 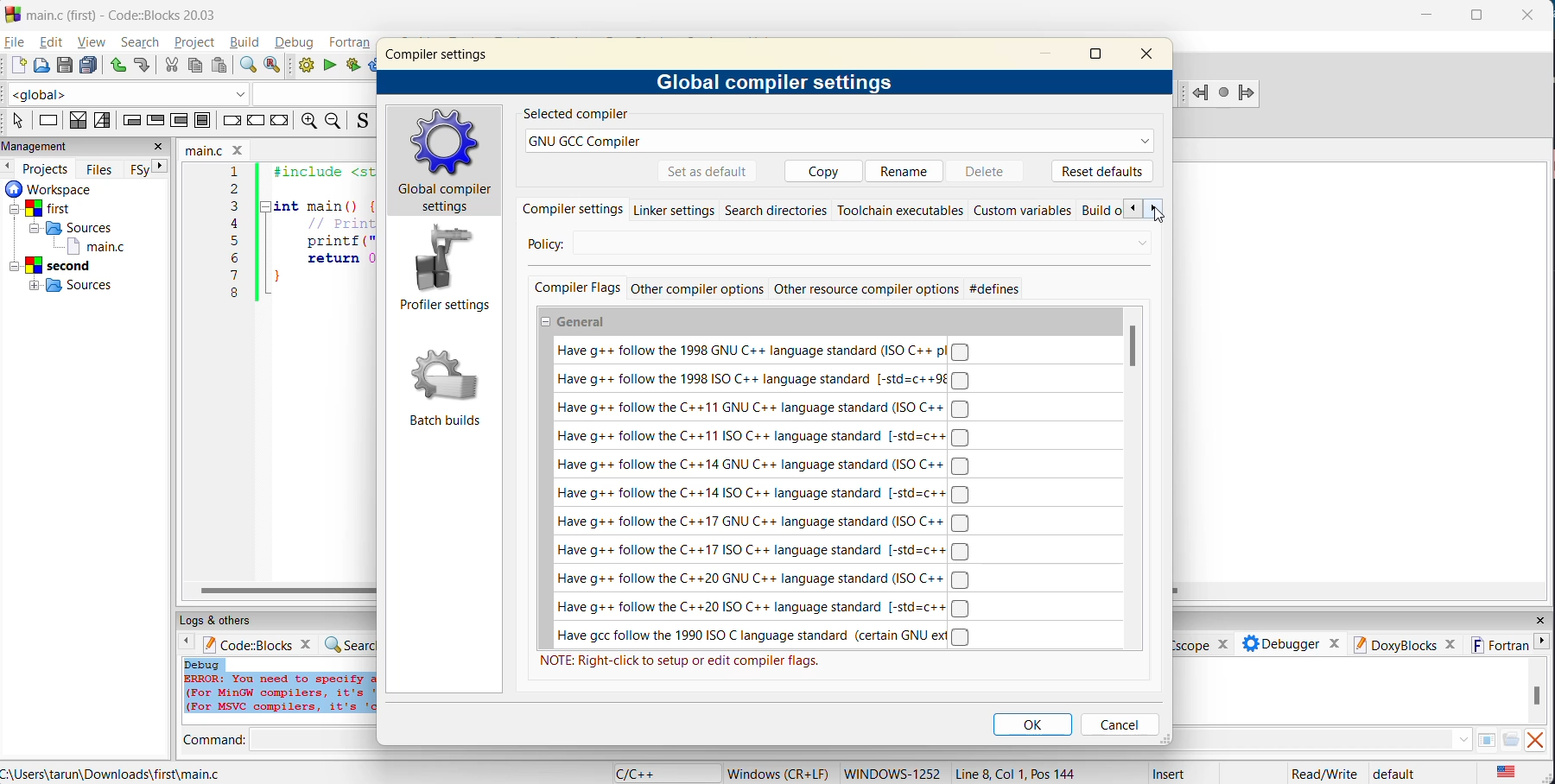 I want to click on Jump forward, so click(x=1246, y=93).